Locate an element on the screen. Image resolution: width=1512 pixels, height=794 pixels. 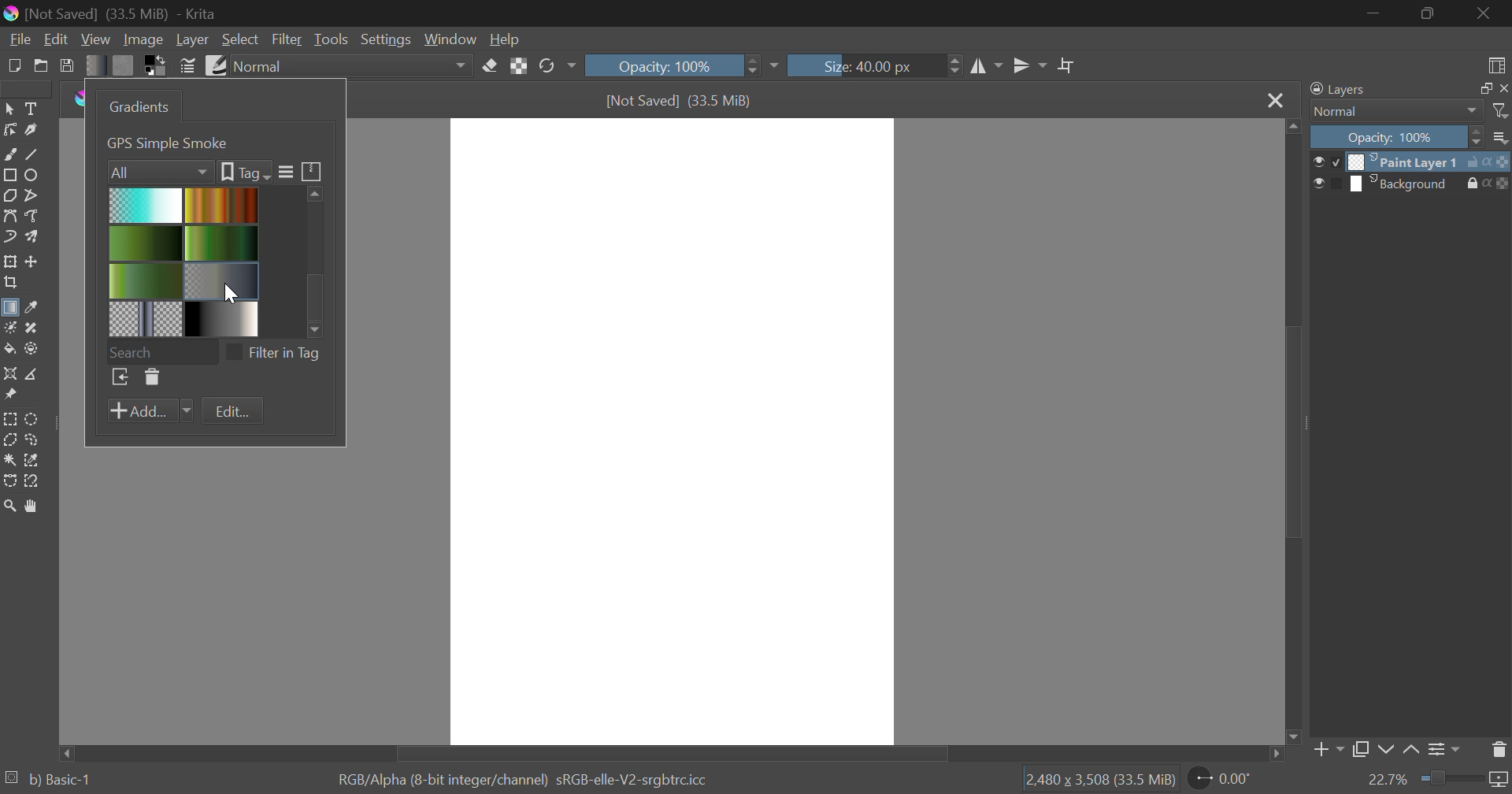
Dynamic Brush Tool is located at coordinates (9, 238).